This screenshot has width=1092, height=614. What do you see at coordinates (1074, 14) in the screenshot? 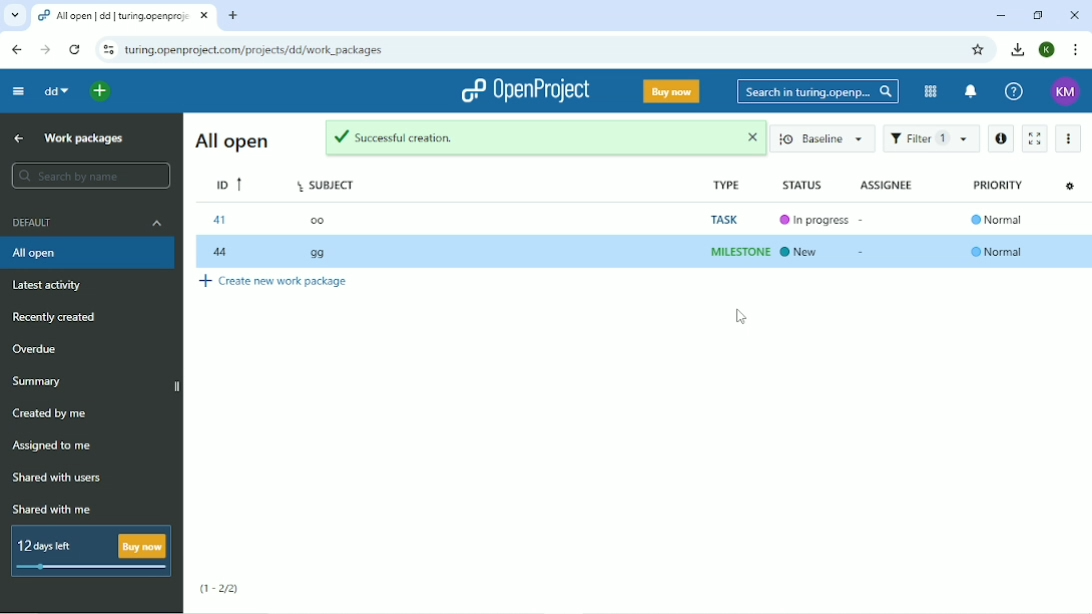
I see `Close` at bounding box center [1074, 14].